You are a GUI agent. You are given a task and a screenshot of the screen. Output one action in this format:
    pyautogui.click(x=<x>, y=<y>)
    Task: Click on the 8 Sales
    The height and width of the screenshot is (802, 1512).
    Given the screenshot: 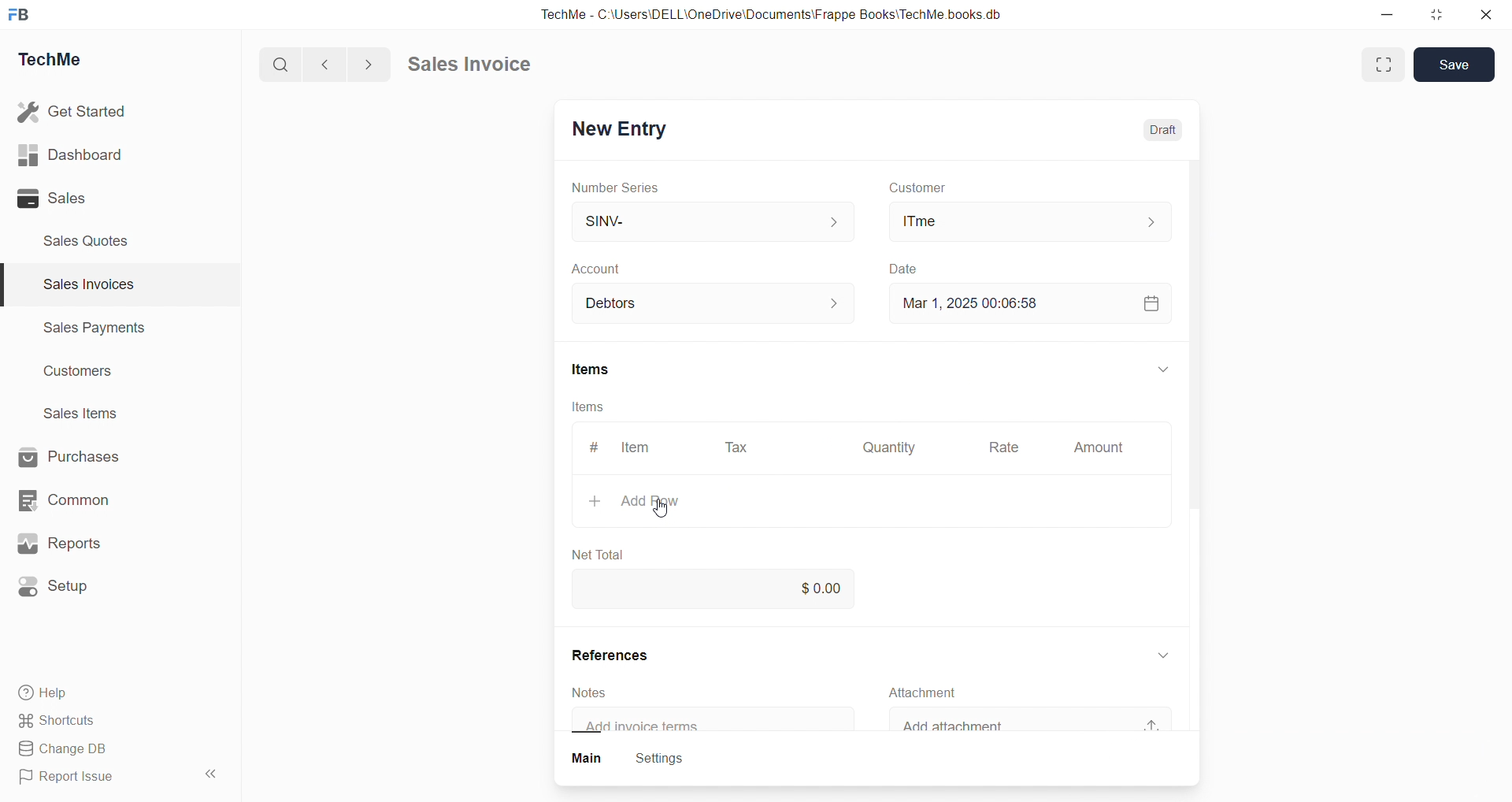 What is the action you would take?
    pyautogui.click(x=55, y=198)
    